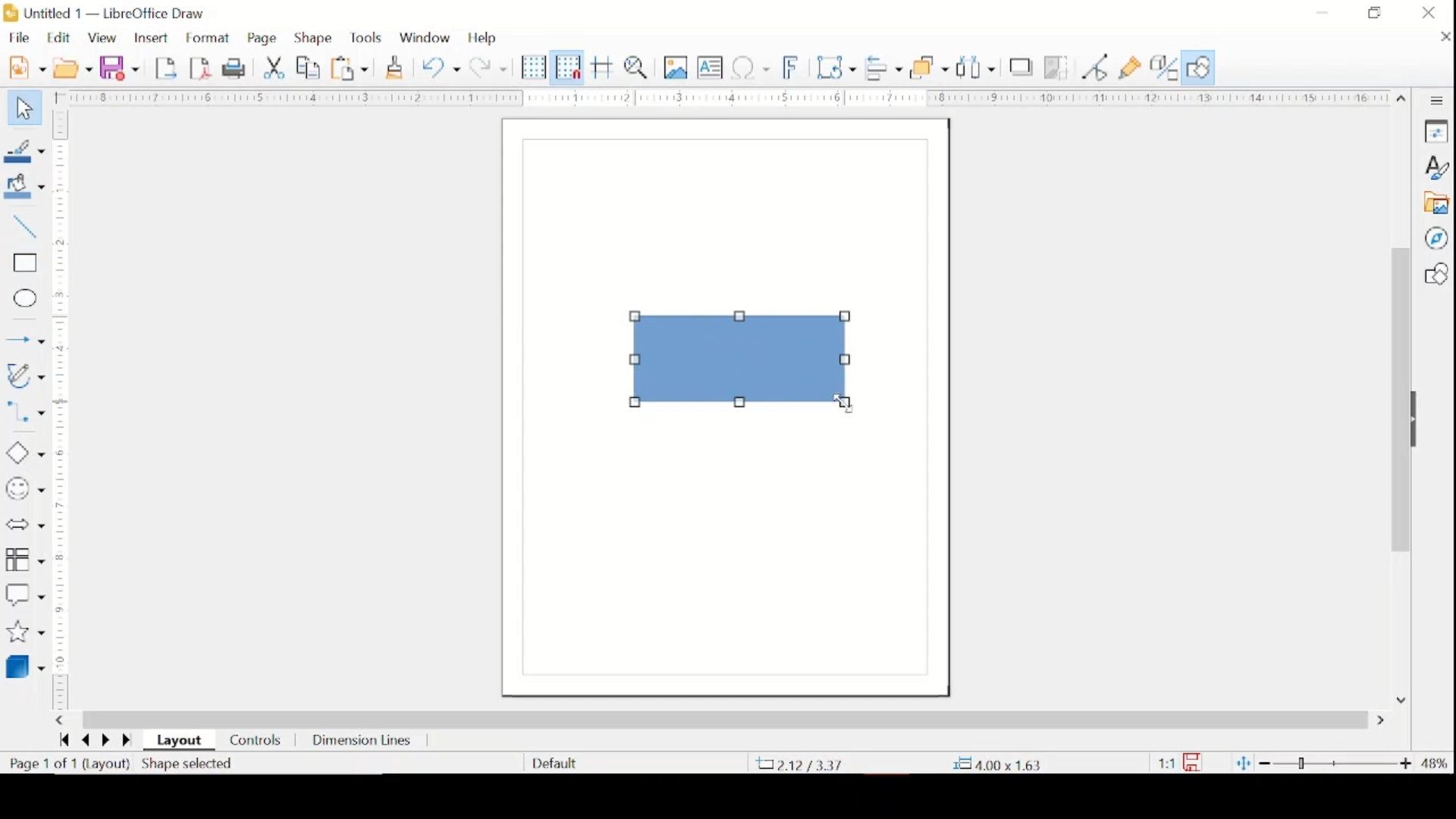 The height and width of the screenshot is (819, 1456). I want to click on resize handle, so click(636, 404).